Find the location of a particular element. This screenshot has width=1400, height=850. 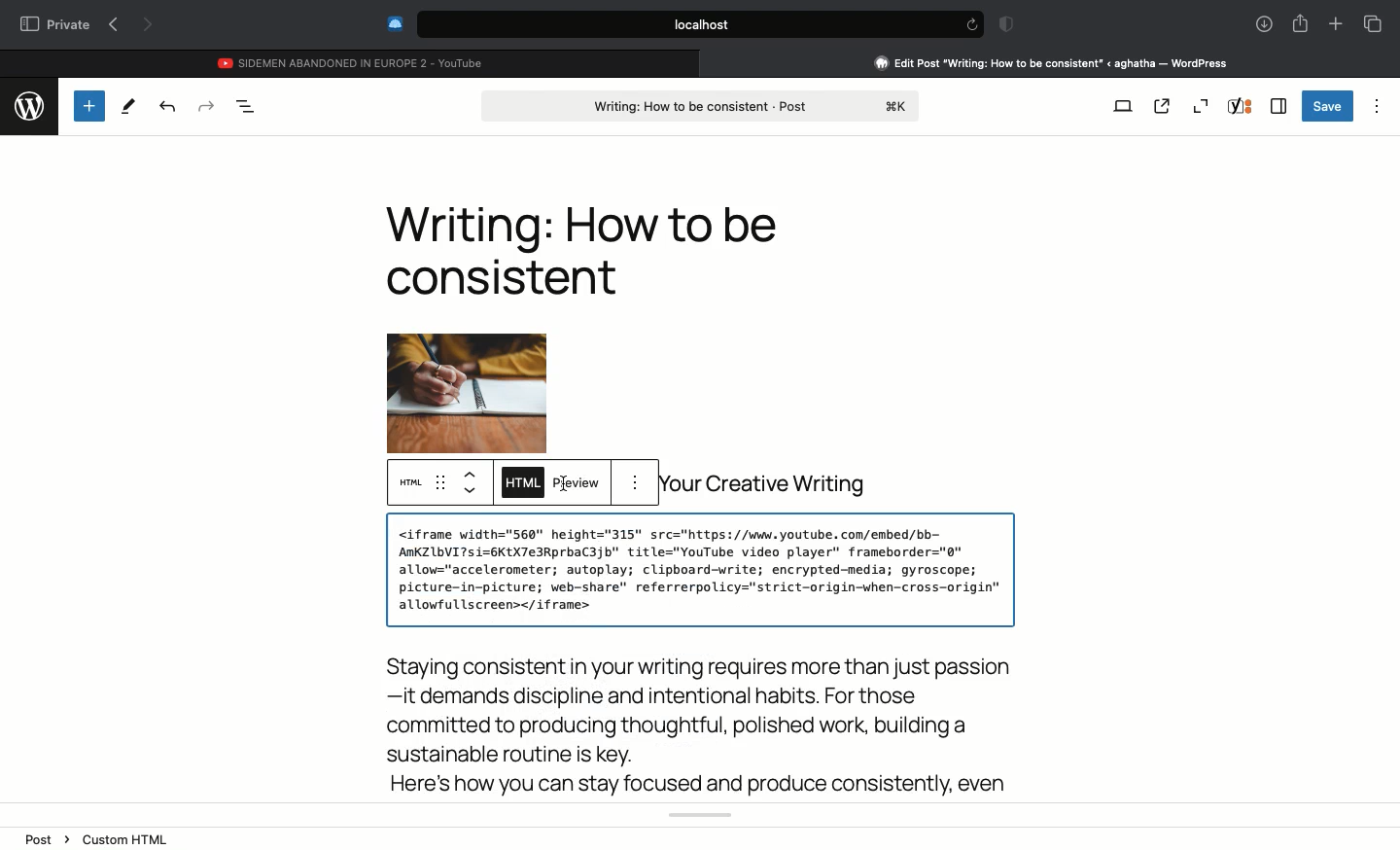

Previous page is located at coordinates (113, 25).